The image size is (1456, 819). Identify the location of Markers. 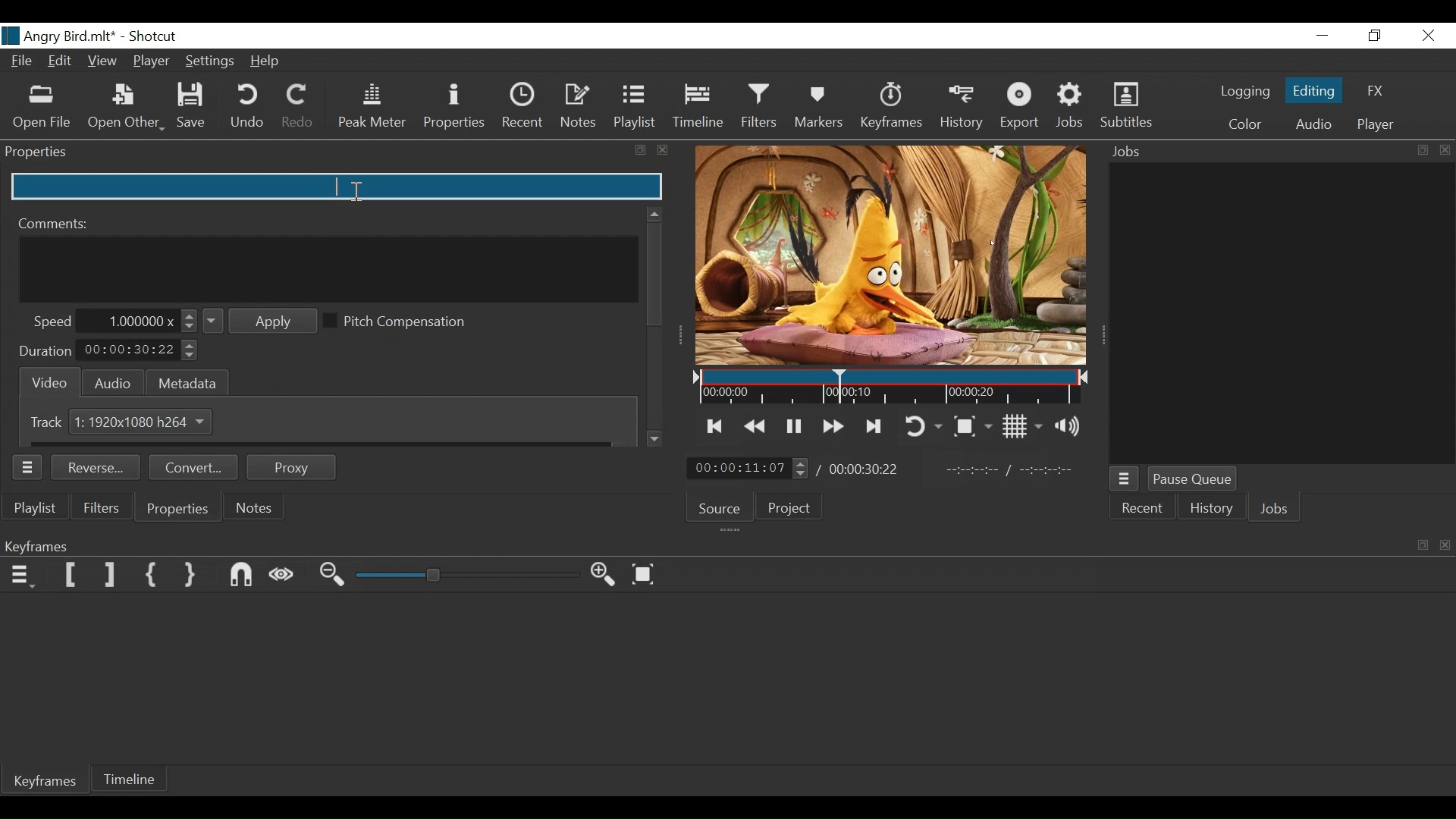
(823, 108).